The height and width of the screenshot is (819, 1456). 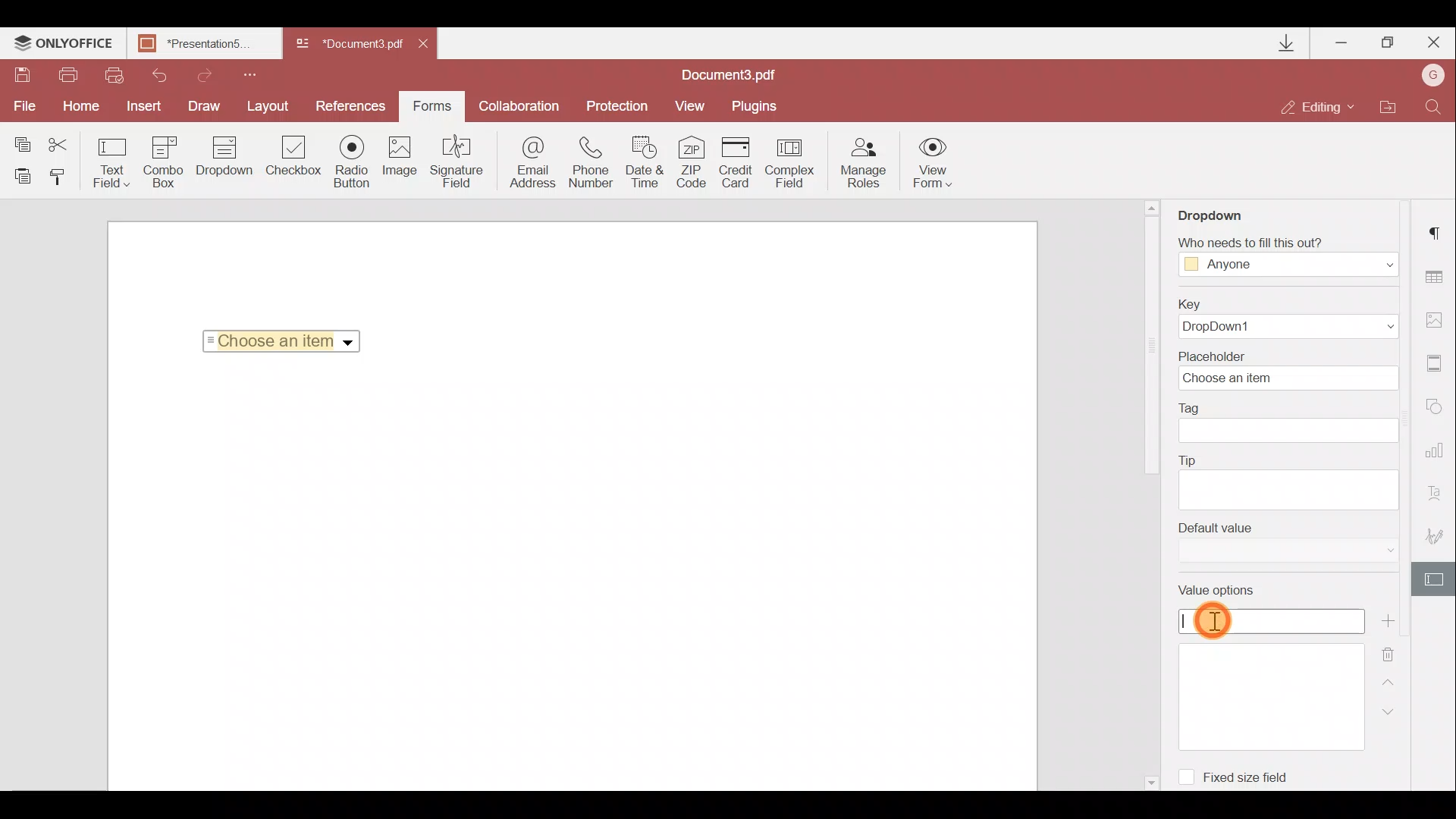 What do you see at coordinates (740, 160) in the screenshot?
I see `Credit card` at bounding box center [740, 160].